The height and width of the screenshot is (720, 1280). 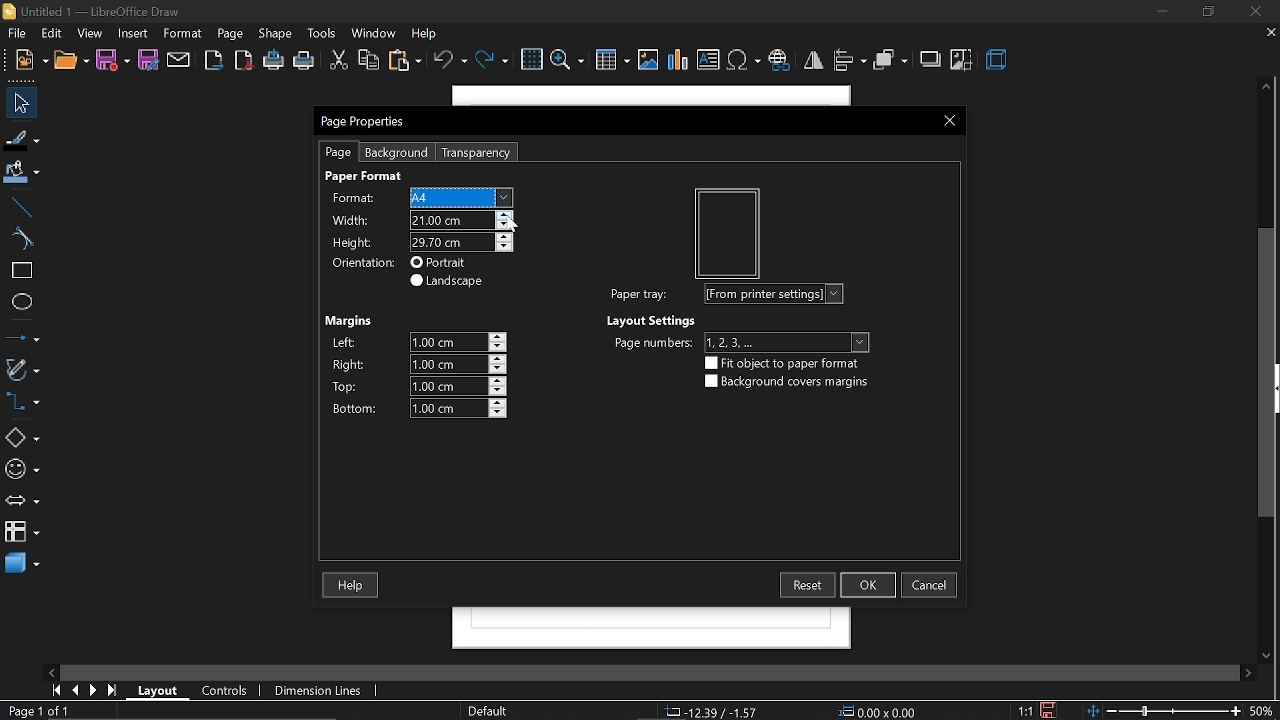 What do you see at coordinates (316, 690) in the screenshot?
I see `dimension lines` at bounding box center [316, 690].